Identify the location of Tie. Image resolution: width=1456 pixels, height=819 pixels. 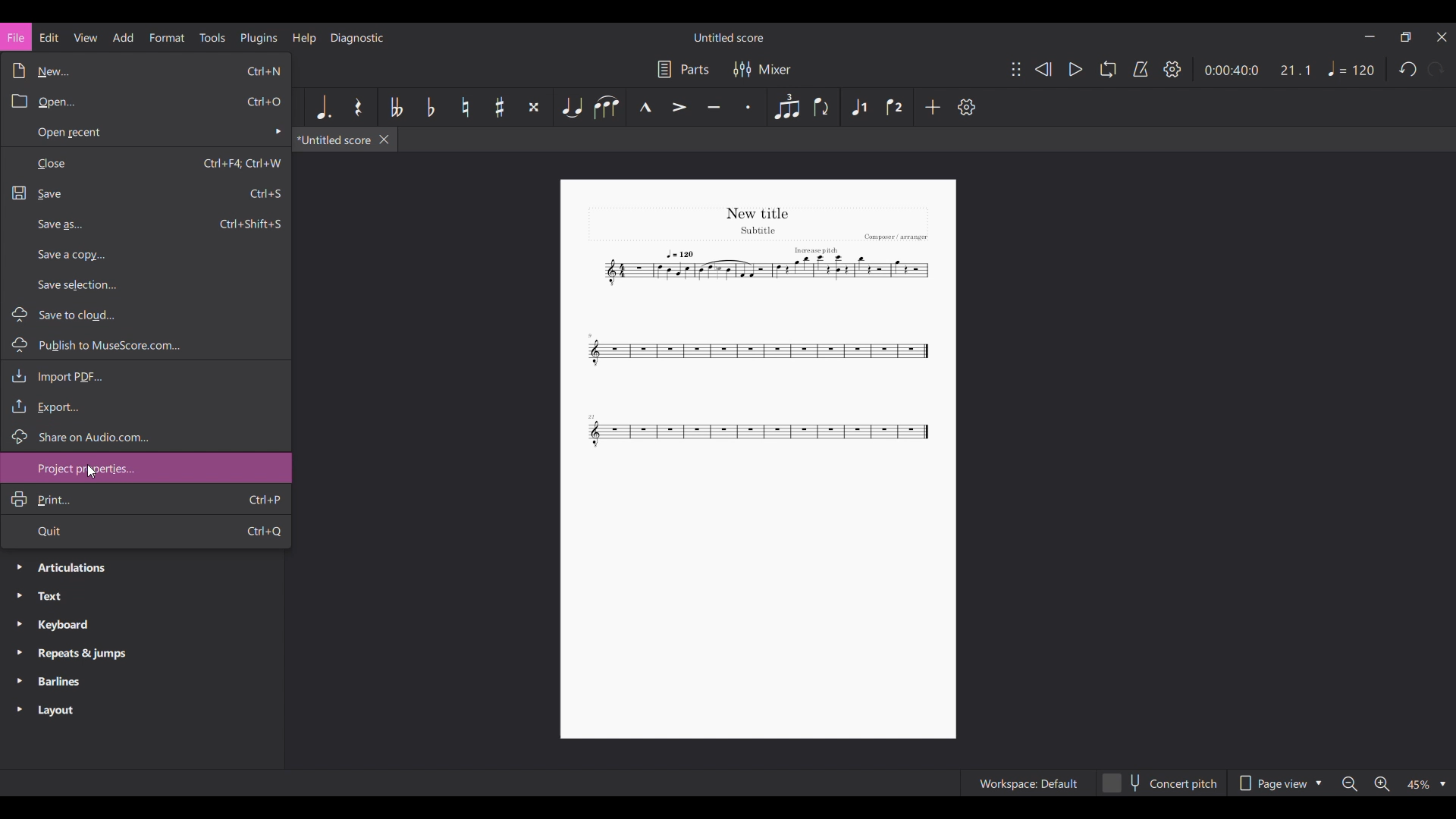
(571, 107).